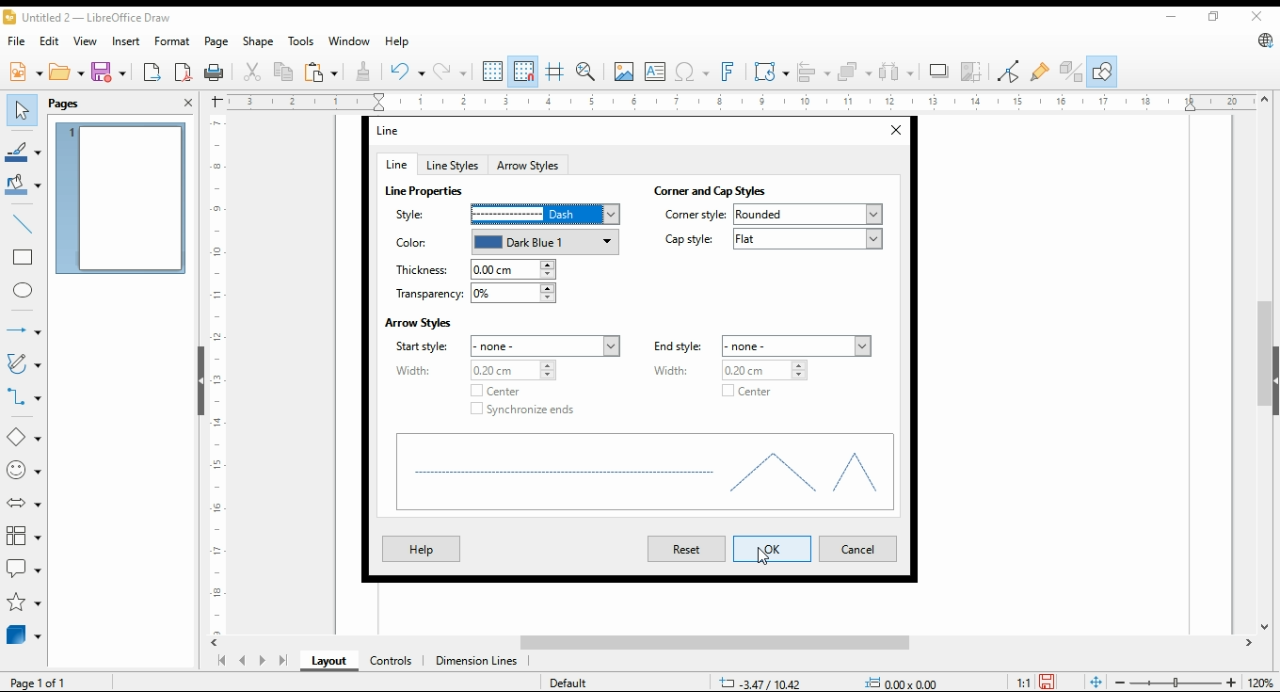 This screenshot has height=692, width=1280. I want to click on first page, so click(220, 661).